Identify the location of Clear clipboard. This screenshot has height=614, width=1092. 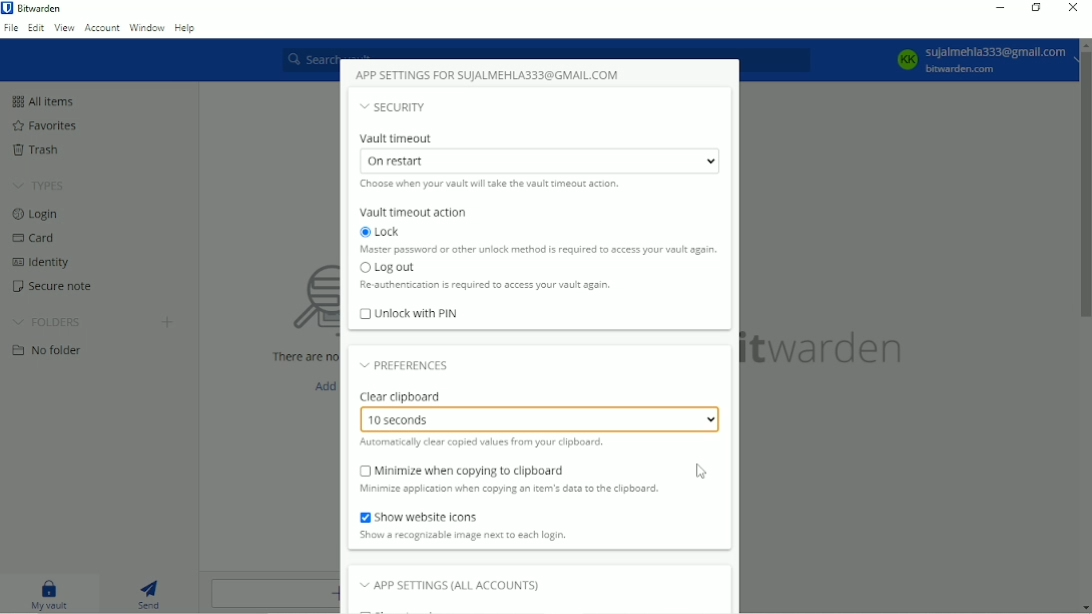
(404, 395).